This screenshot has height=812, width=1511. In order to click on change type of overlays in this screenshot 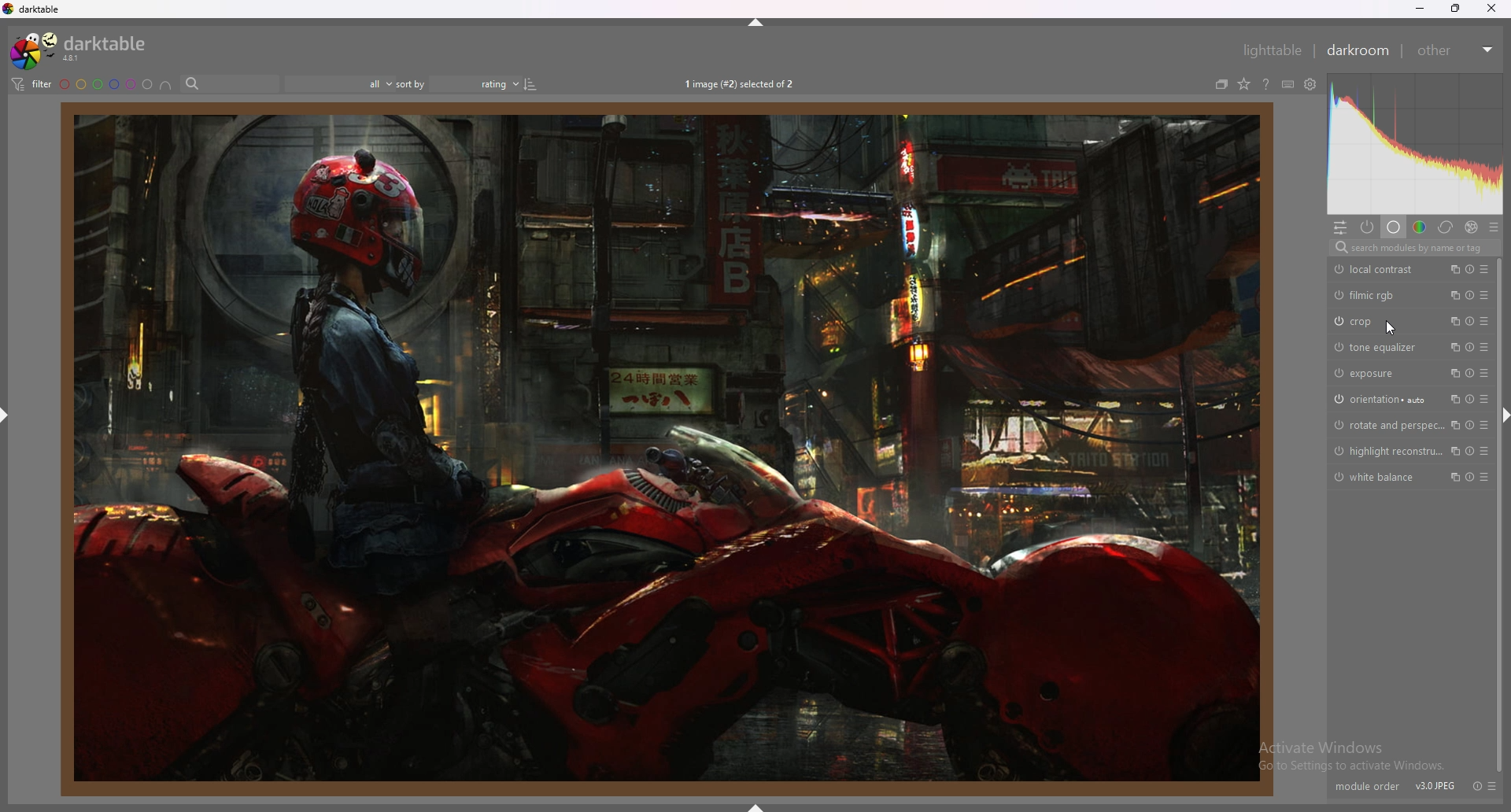, I will do `click(1243, 84)`.